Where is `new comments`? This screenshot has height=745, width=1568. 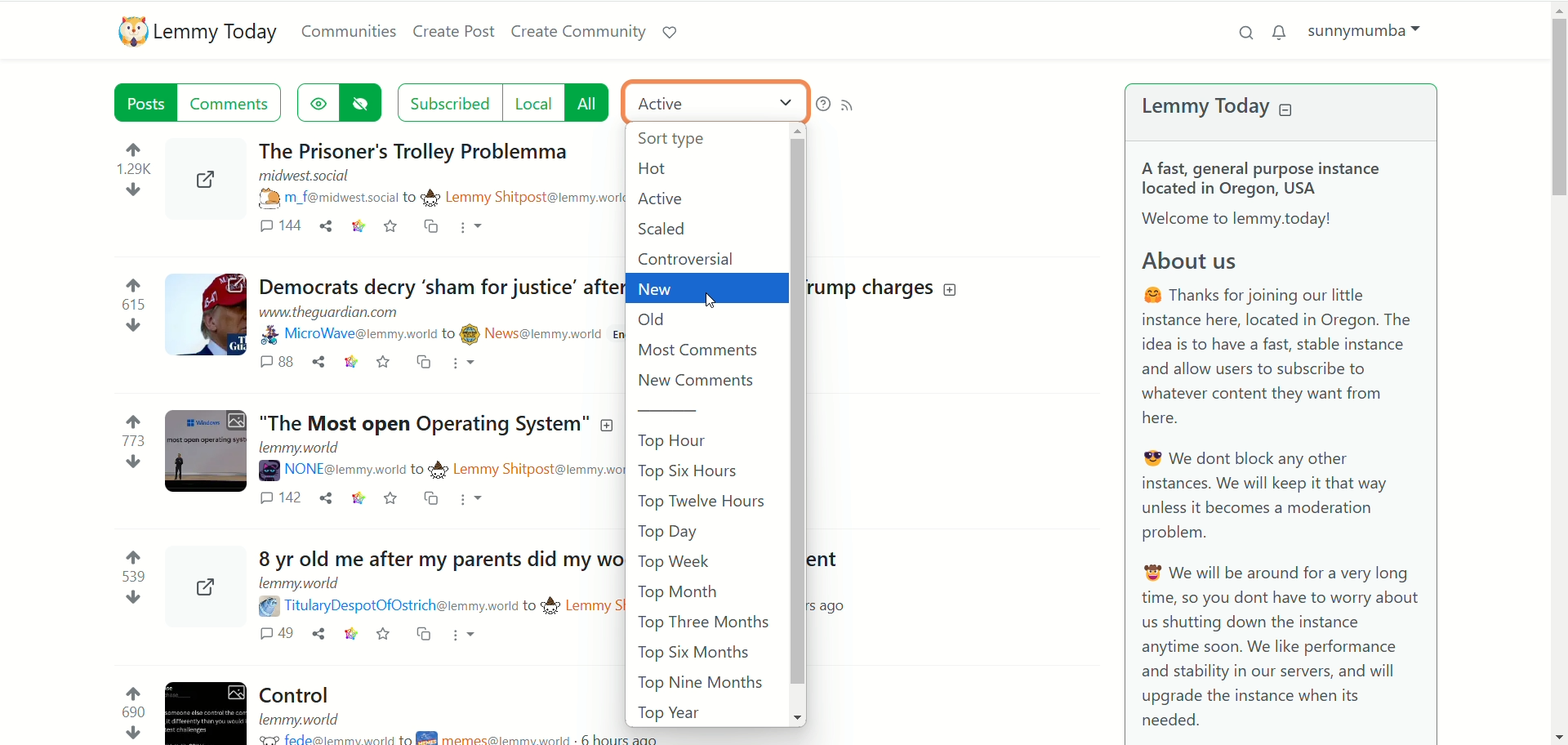 new comments is located at coordinates (697, 381).